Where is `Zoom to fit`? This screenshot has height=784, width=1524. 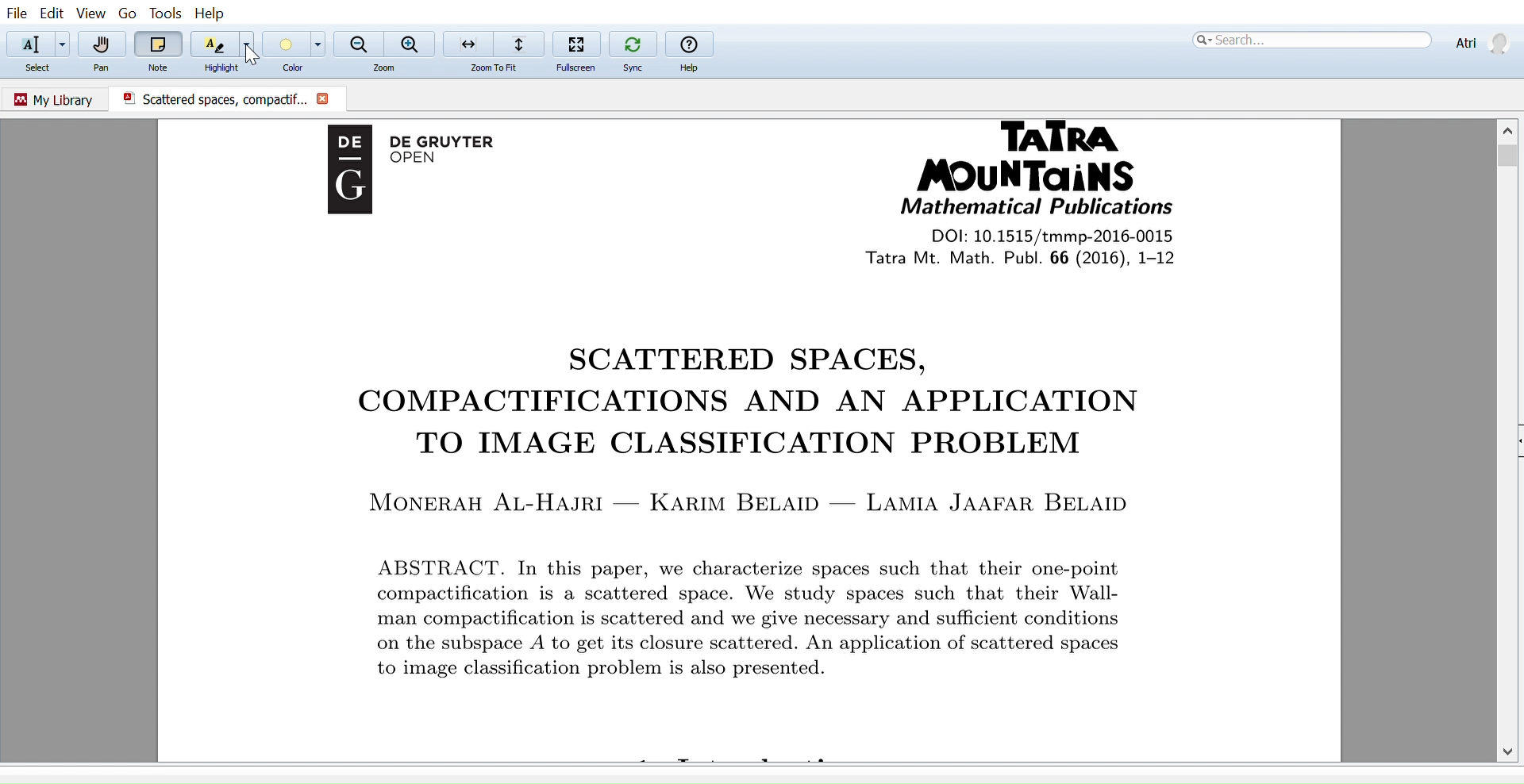 Zoom to fit is located at coordinates (492, 43).